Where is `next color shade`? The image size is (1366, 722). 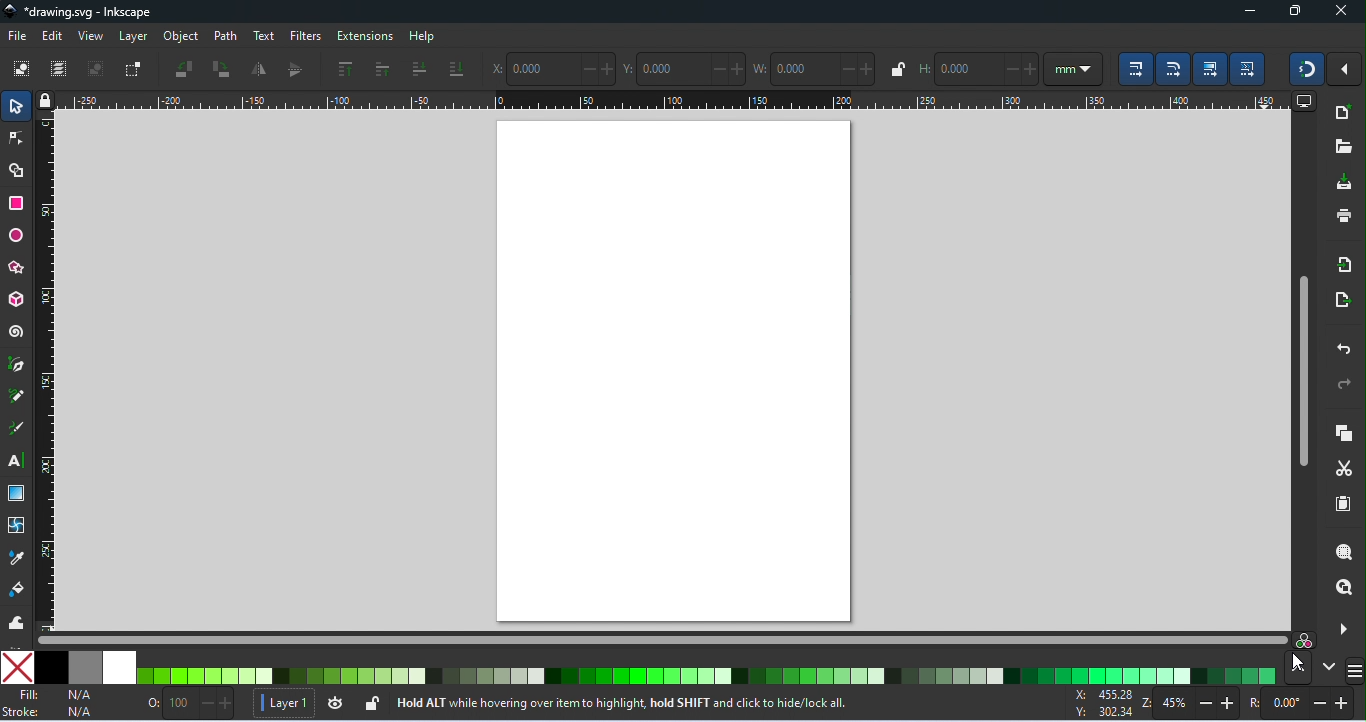
next color shade is located at coordinates (1328, 666).